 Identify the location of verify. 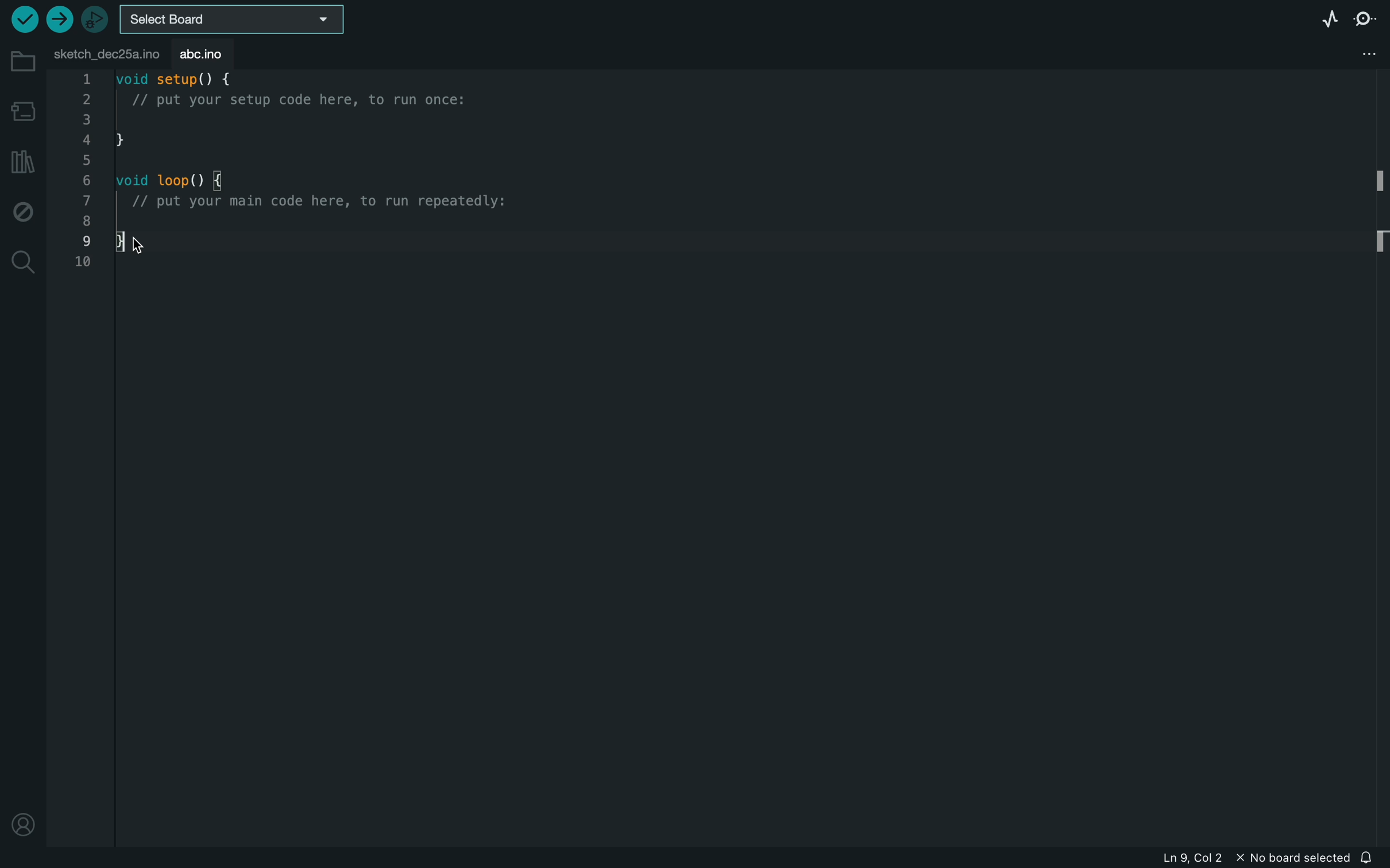
(23, 18).